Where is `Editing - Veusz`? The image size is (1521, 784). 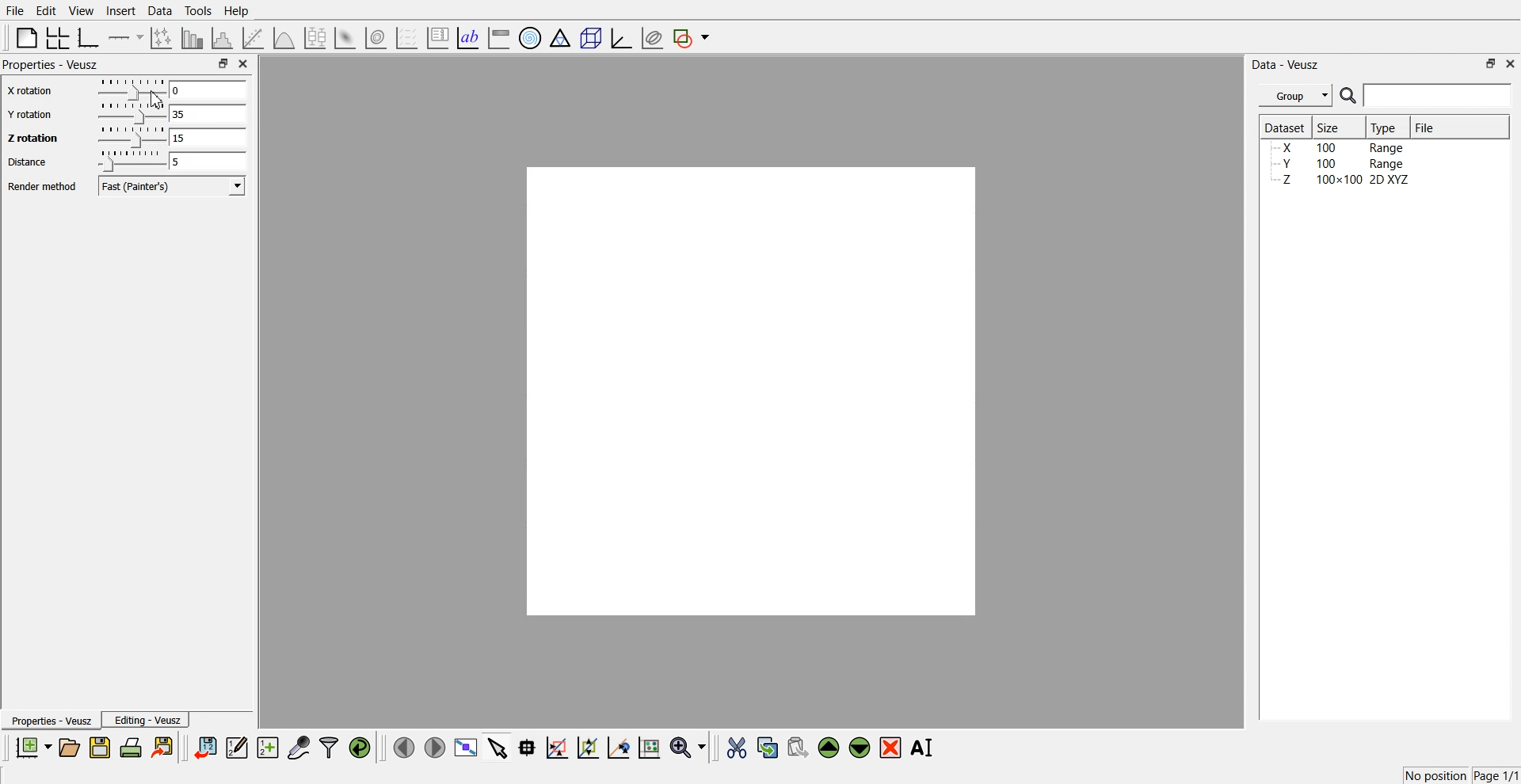
Editing - Veusz is located at coordinates (146, 719).